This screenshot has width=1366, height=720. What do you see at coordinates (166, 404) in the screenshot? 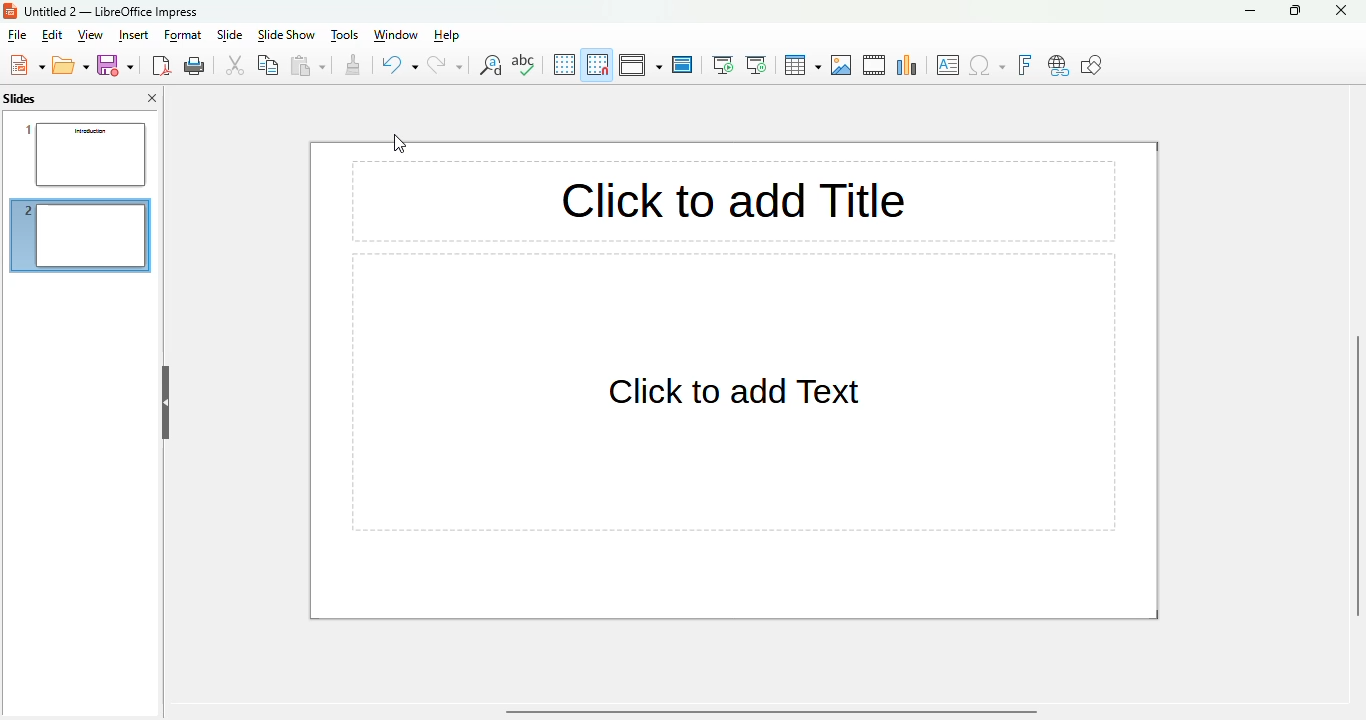
I see `hide pane` at bounding box center [166, 404].